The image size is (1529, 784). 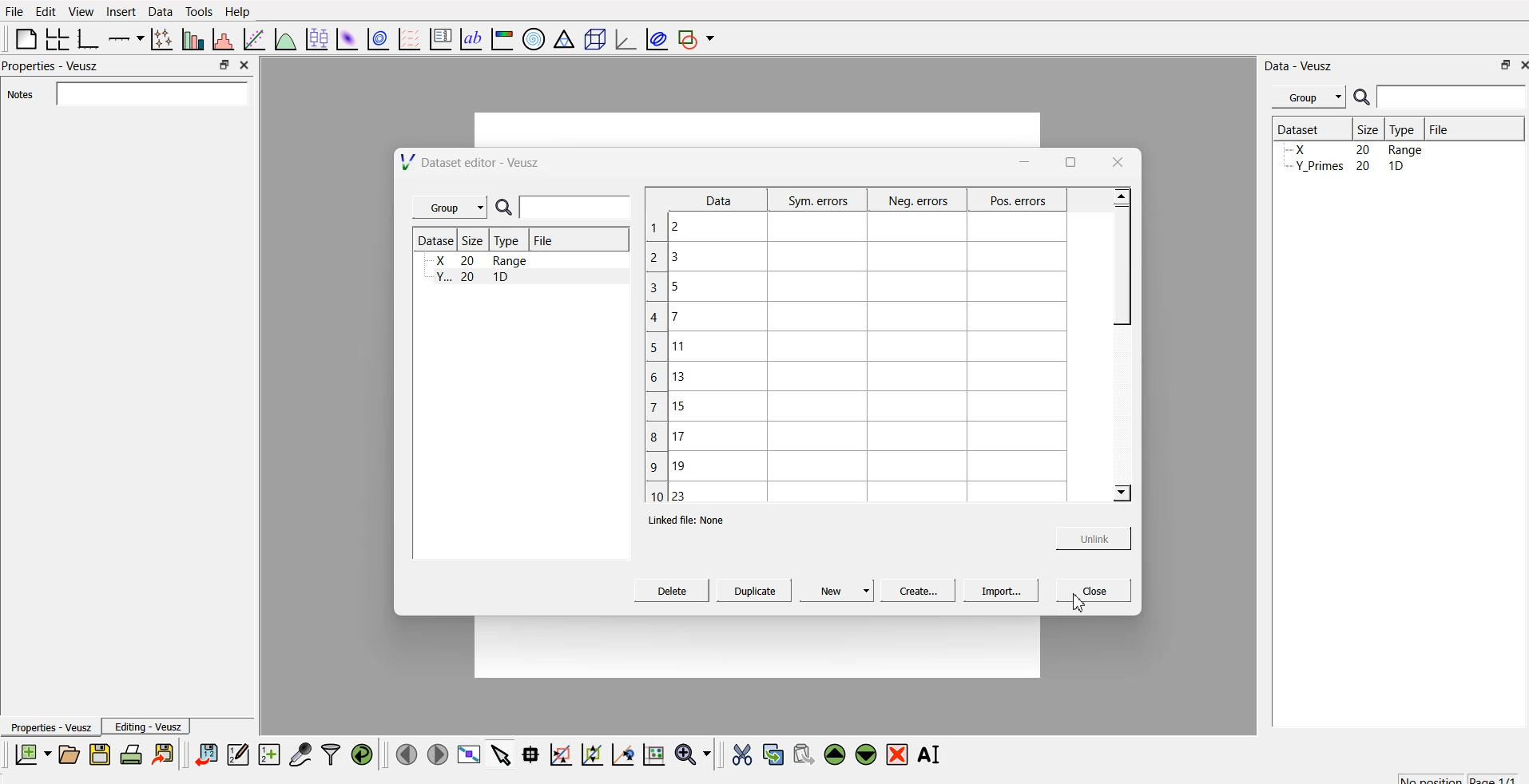 What do you see at coordinates (1086, 538) in the screenshot?
I see `Unlink` at bounding box center [1086, 538].